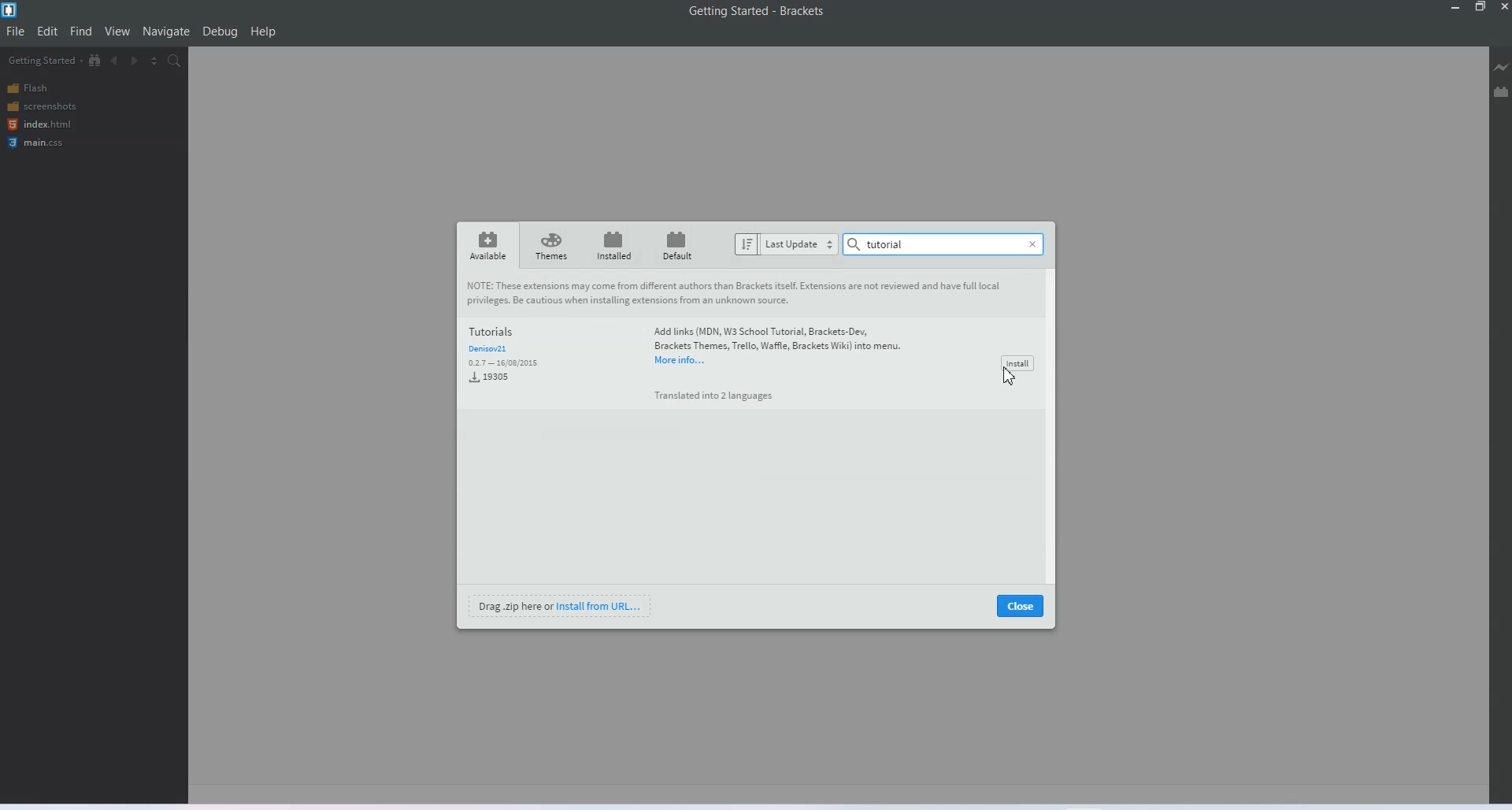  What do you see at coordinates (786, 244) in the screenshot?
I see `Last Update` at bounding box center [786, 244].